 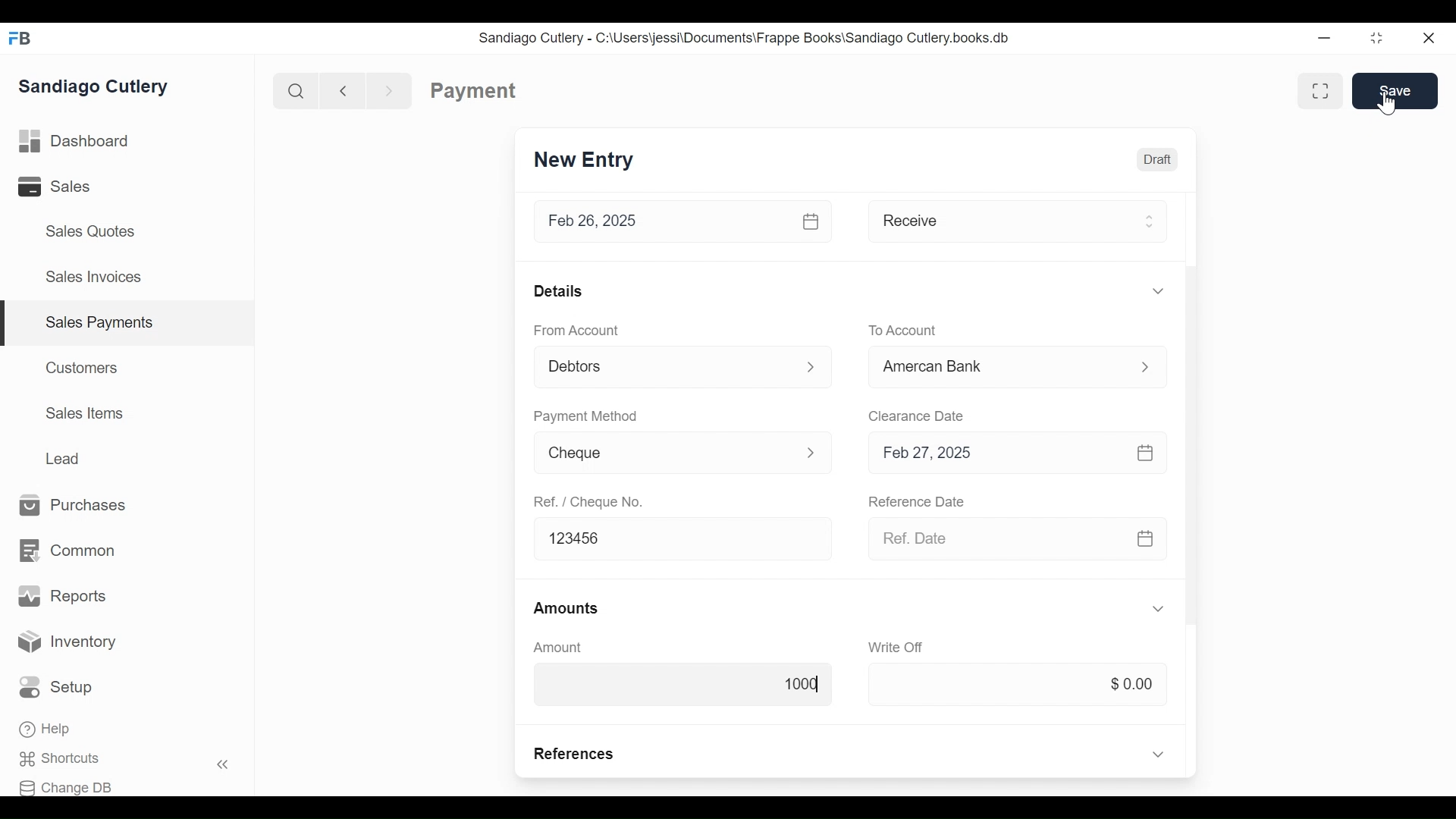 I want to click on Feb 26, 2025 , so click(x=664, y=221).